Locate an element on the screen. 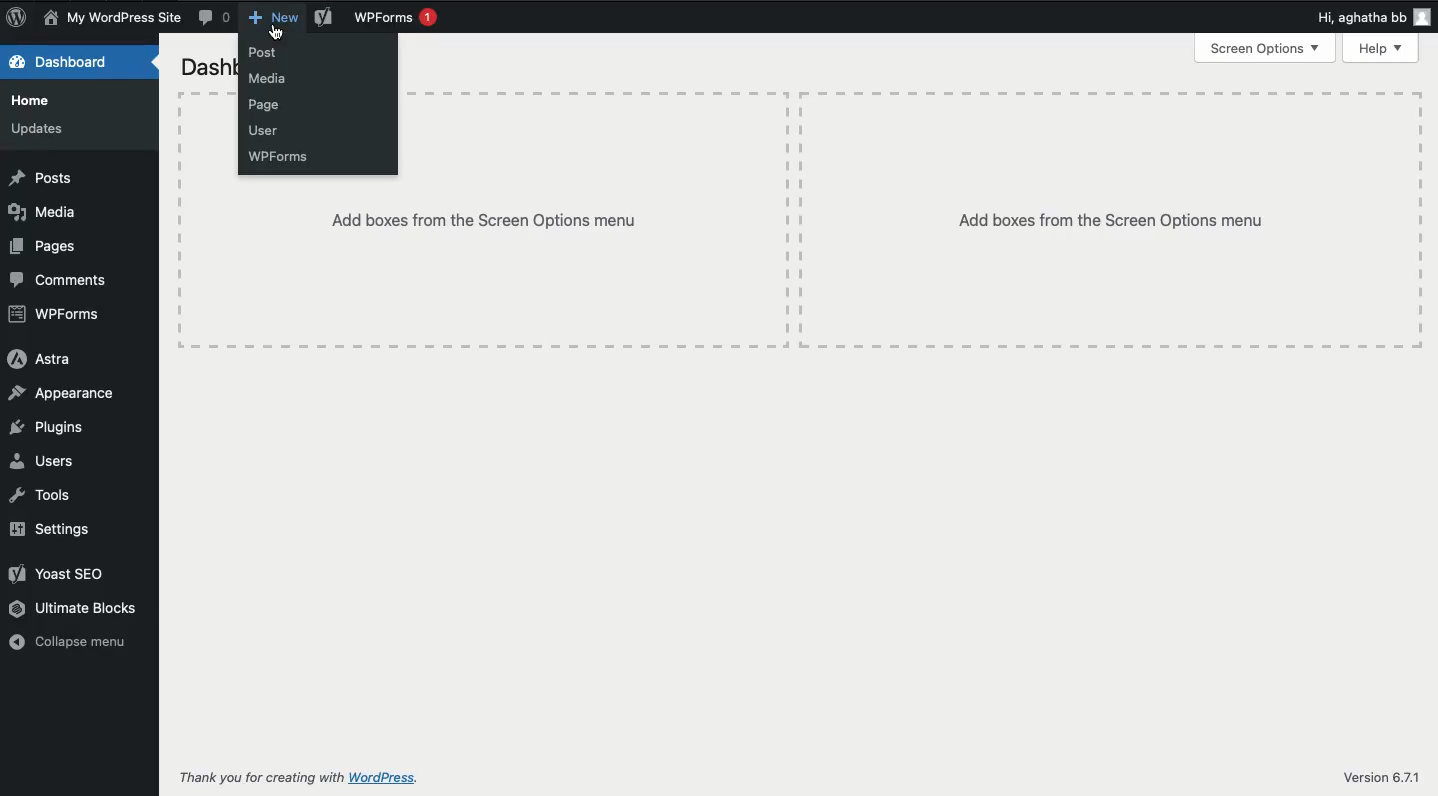  Name is located at coordinates (111, 18).